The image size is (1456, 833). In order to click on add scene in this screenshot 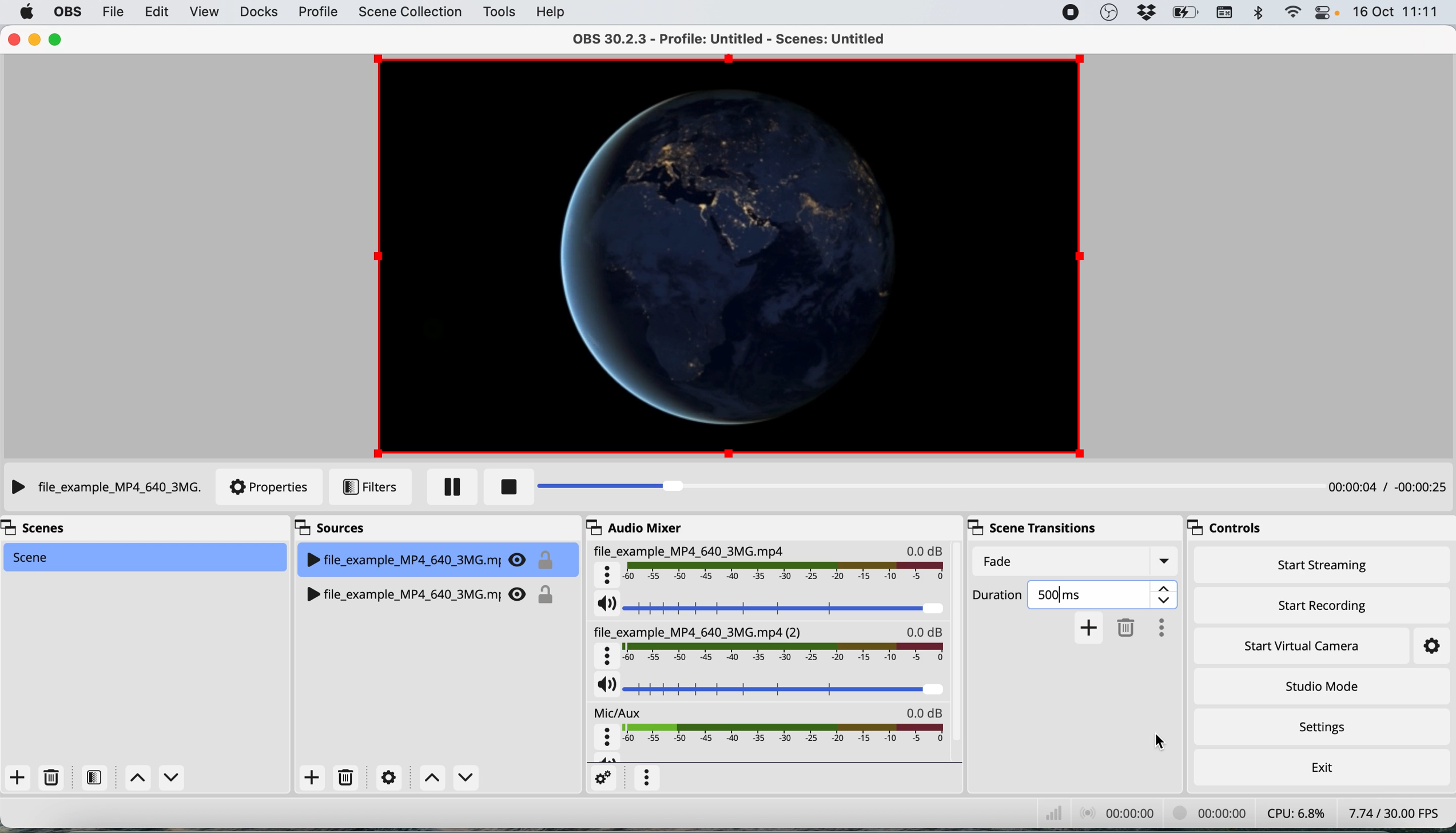, I will do `click(18, 777)`.